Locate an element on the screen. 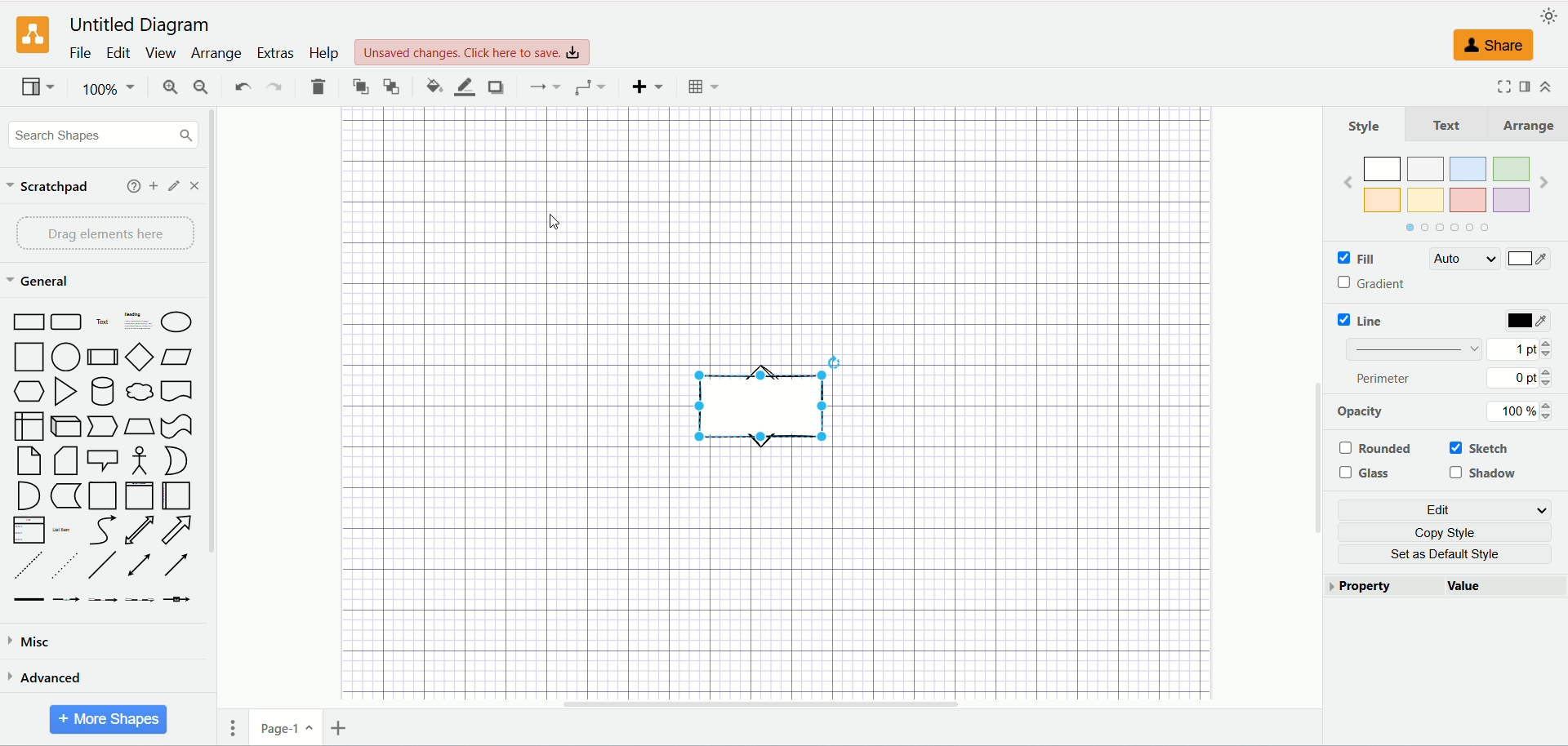  sketch is located at coordinates (1481, 447).